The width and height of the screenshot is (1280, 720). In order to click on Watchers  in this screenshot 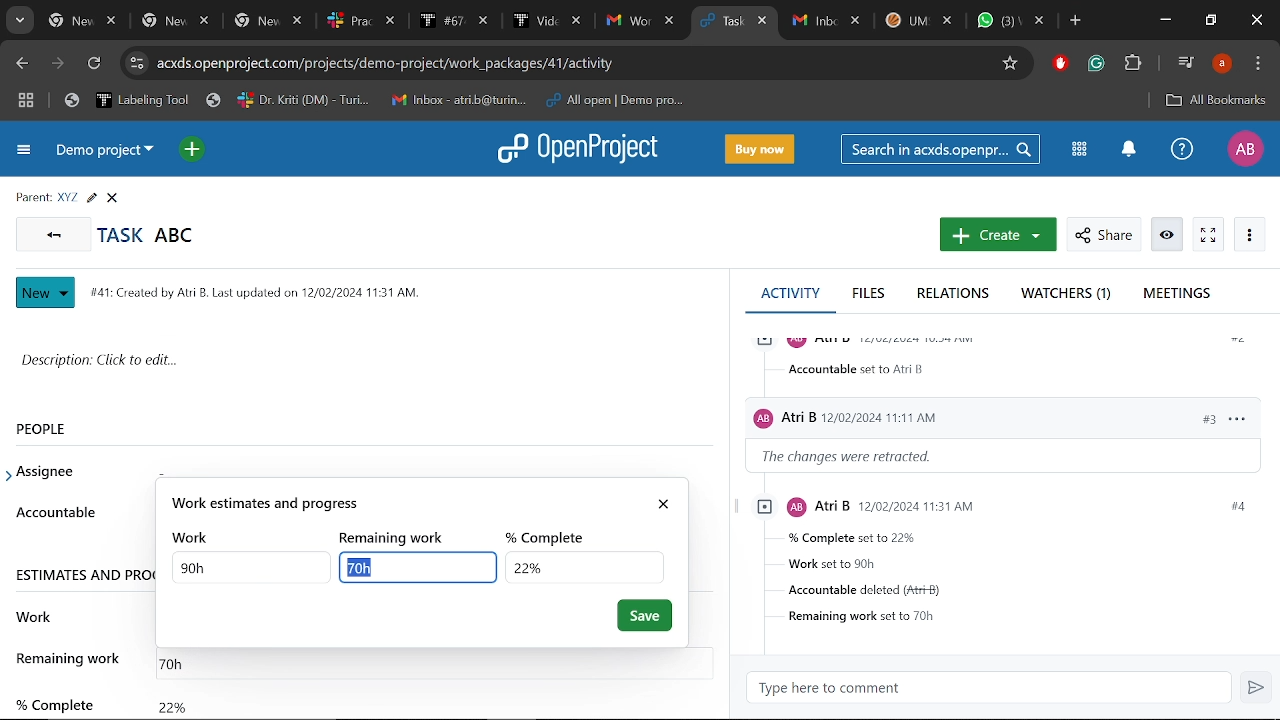, I will do `click(1069, 295)`.